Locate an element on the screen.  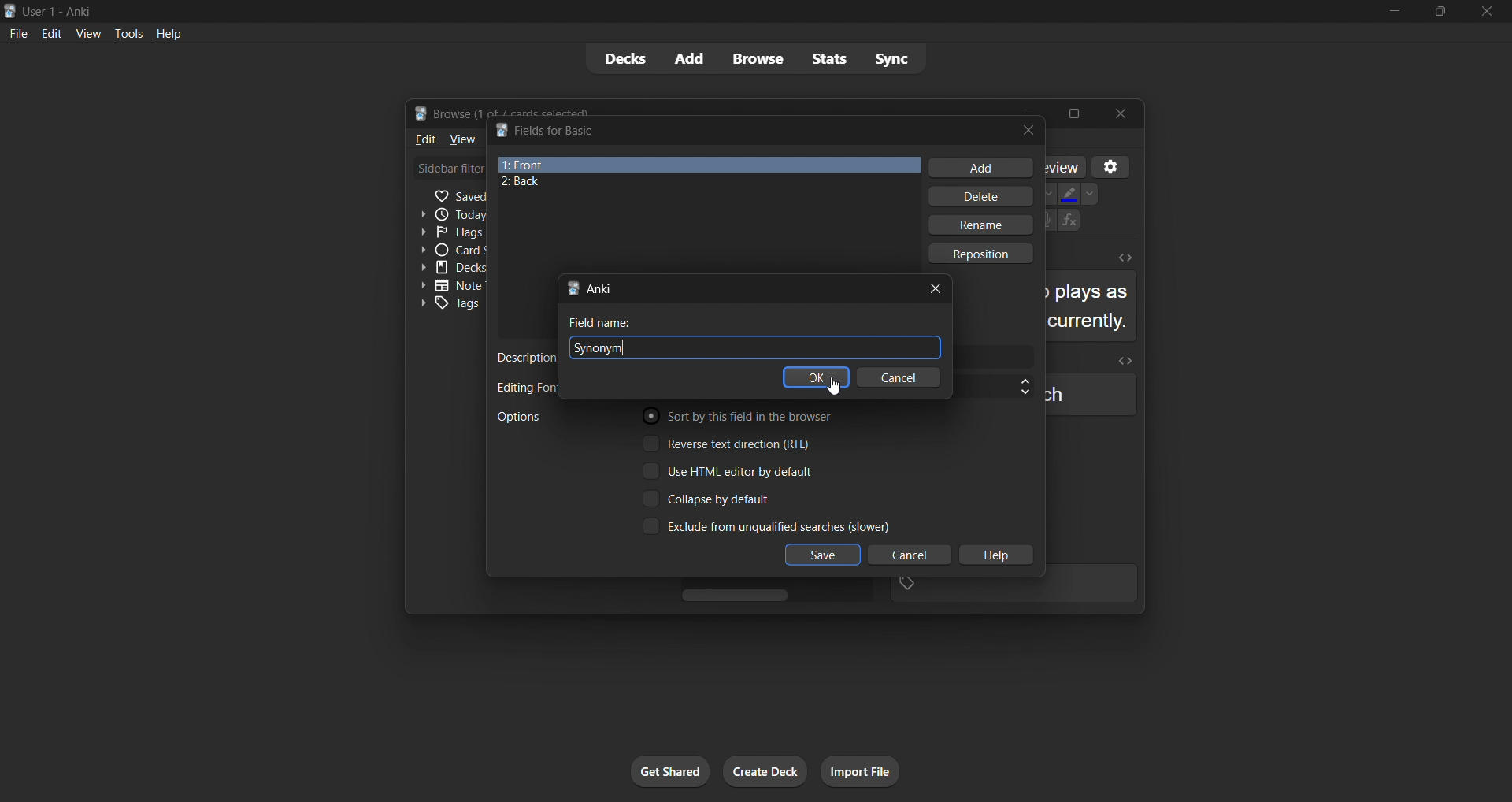
cancel is located at coordinates (904, 555).